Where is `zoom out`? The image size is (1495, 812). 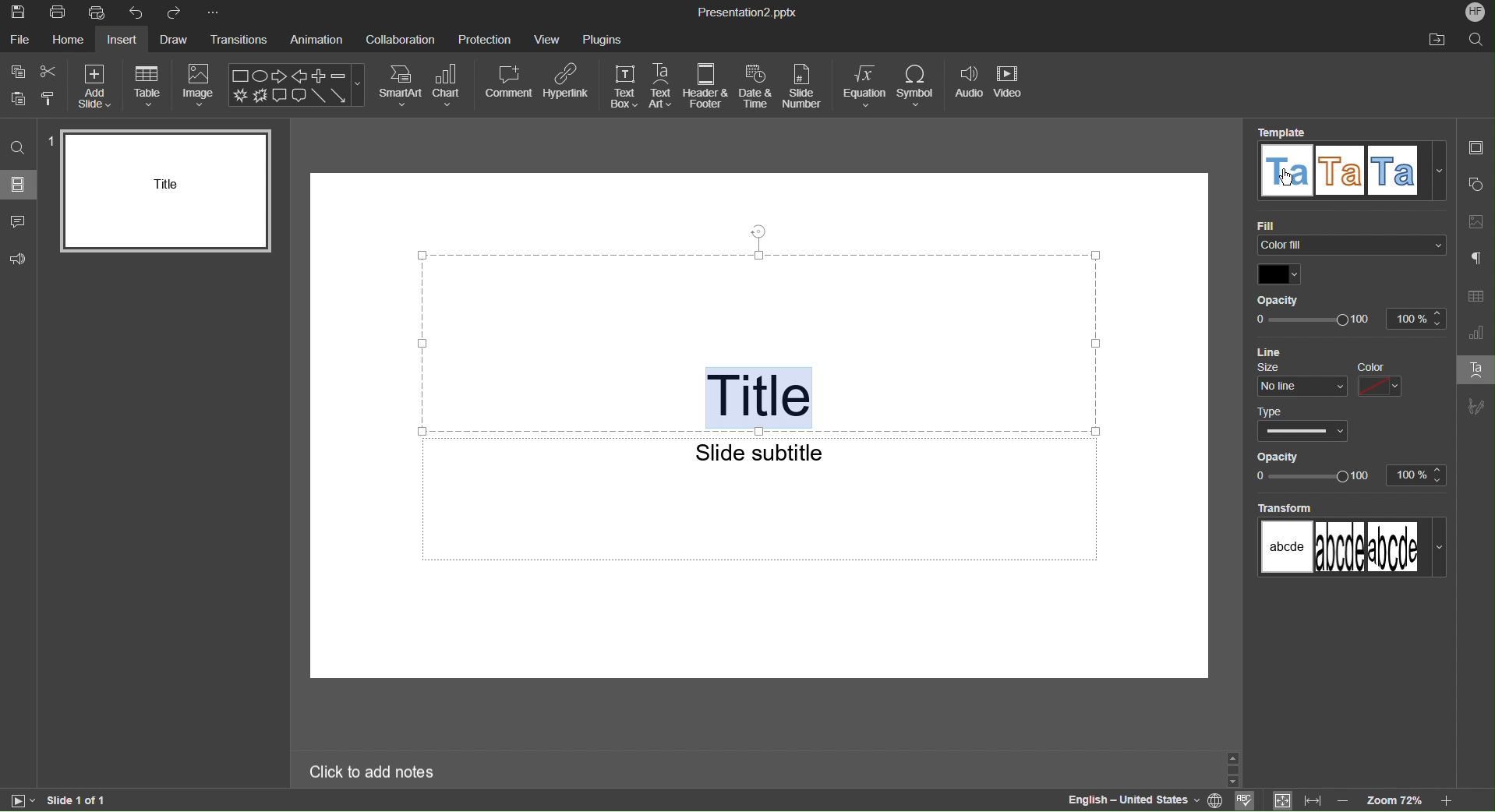
zoom out is located at coordinates (1345, 799).